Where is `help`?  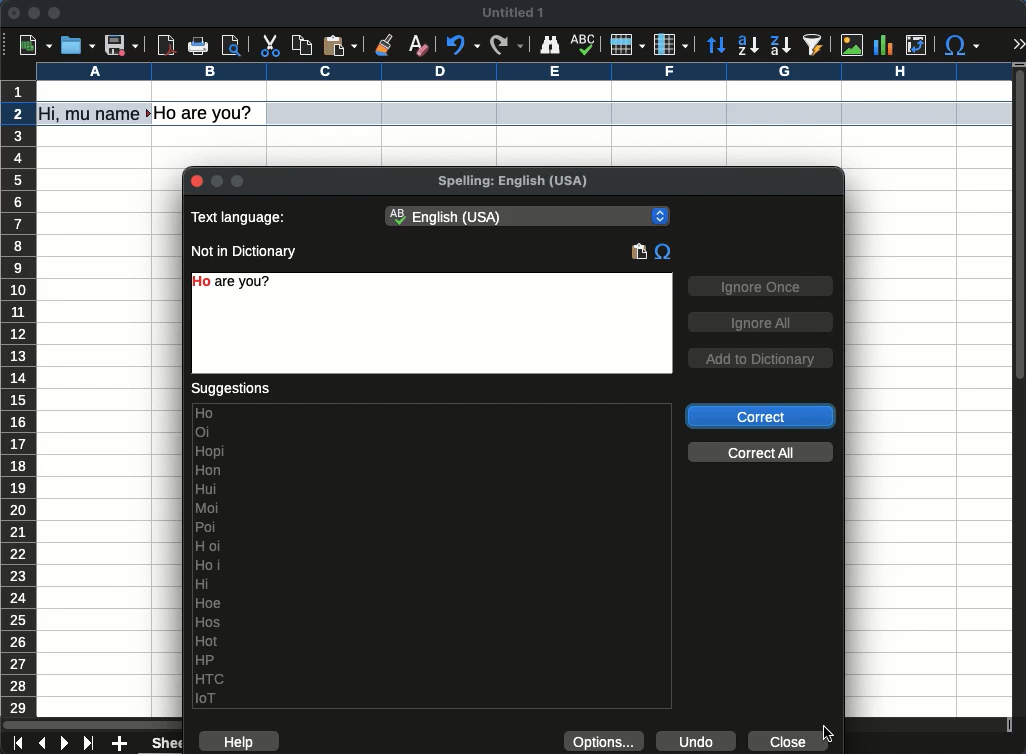
help is located at coordinates (240, 742).